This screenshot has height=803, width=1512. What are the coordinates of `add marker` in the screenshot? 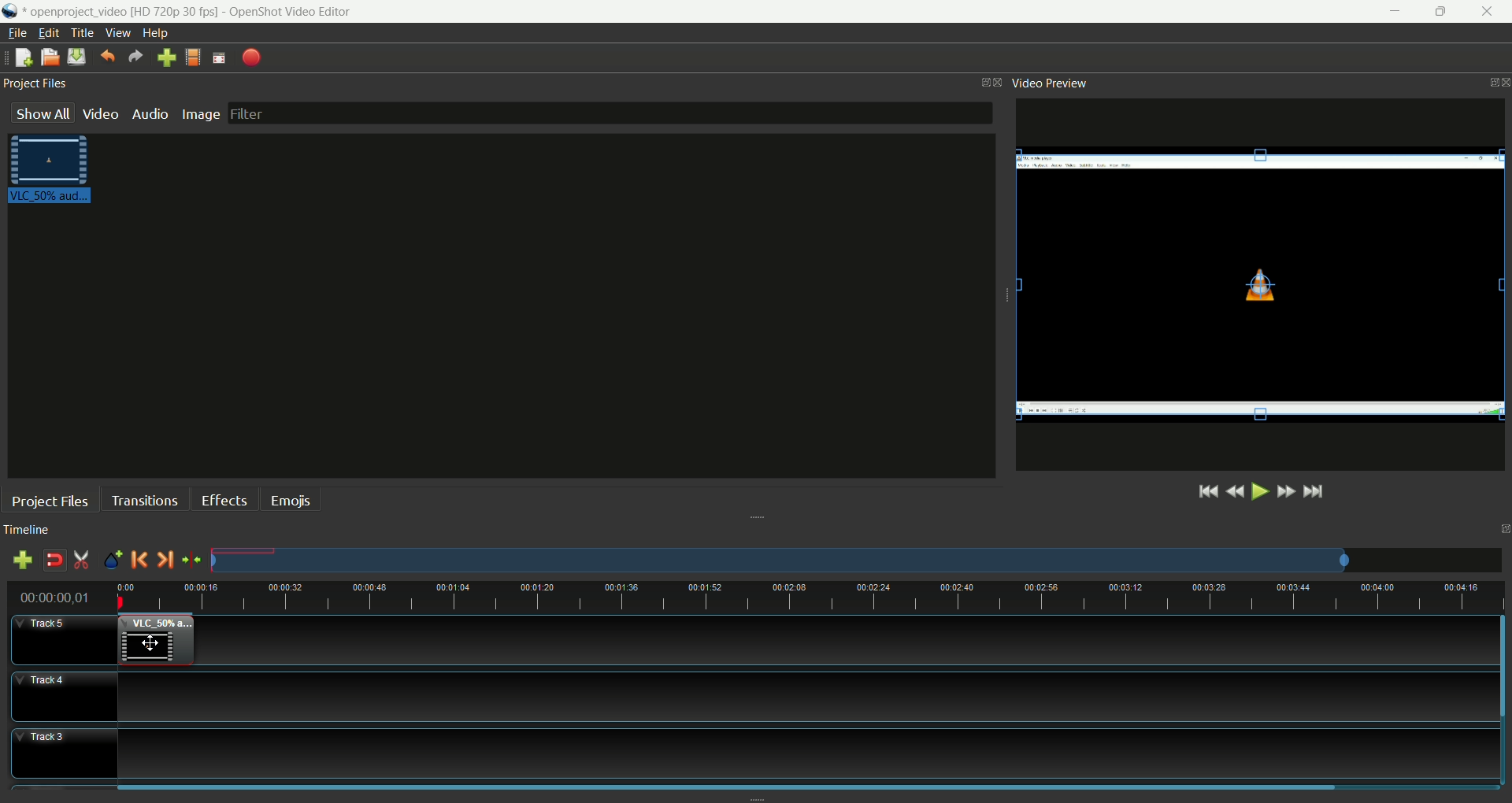 It's located at (115, 558).